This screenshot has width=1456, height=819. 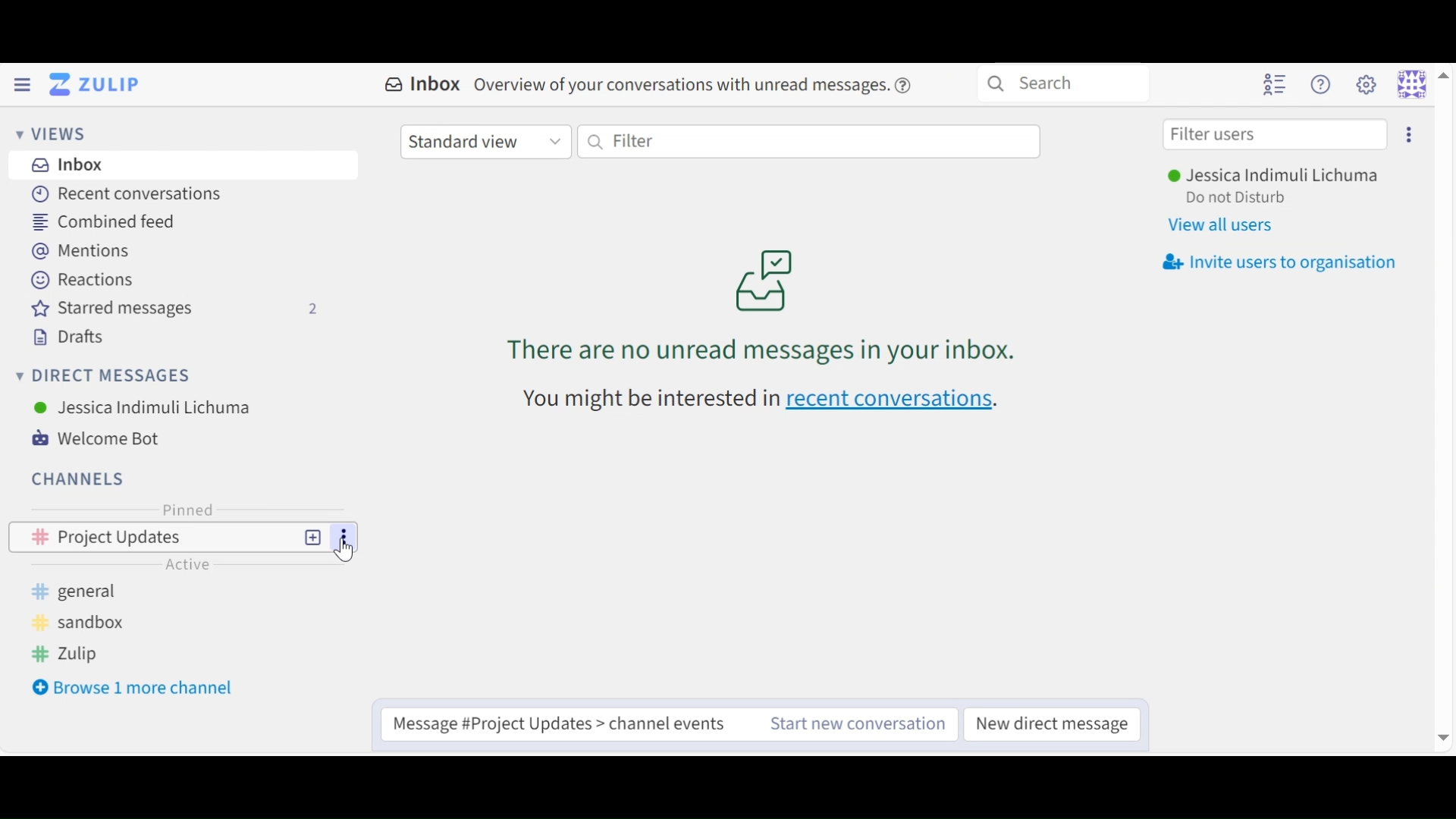 What do you see at coordinates (1237, 199) in the screenshot?
I see `Status` at bounding box center [1237, 199].